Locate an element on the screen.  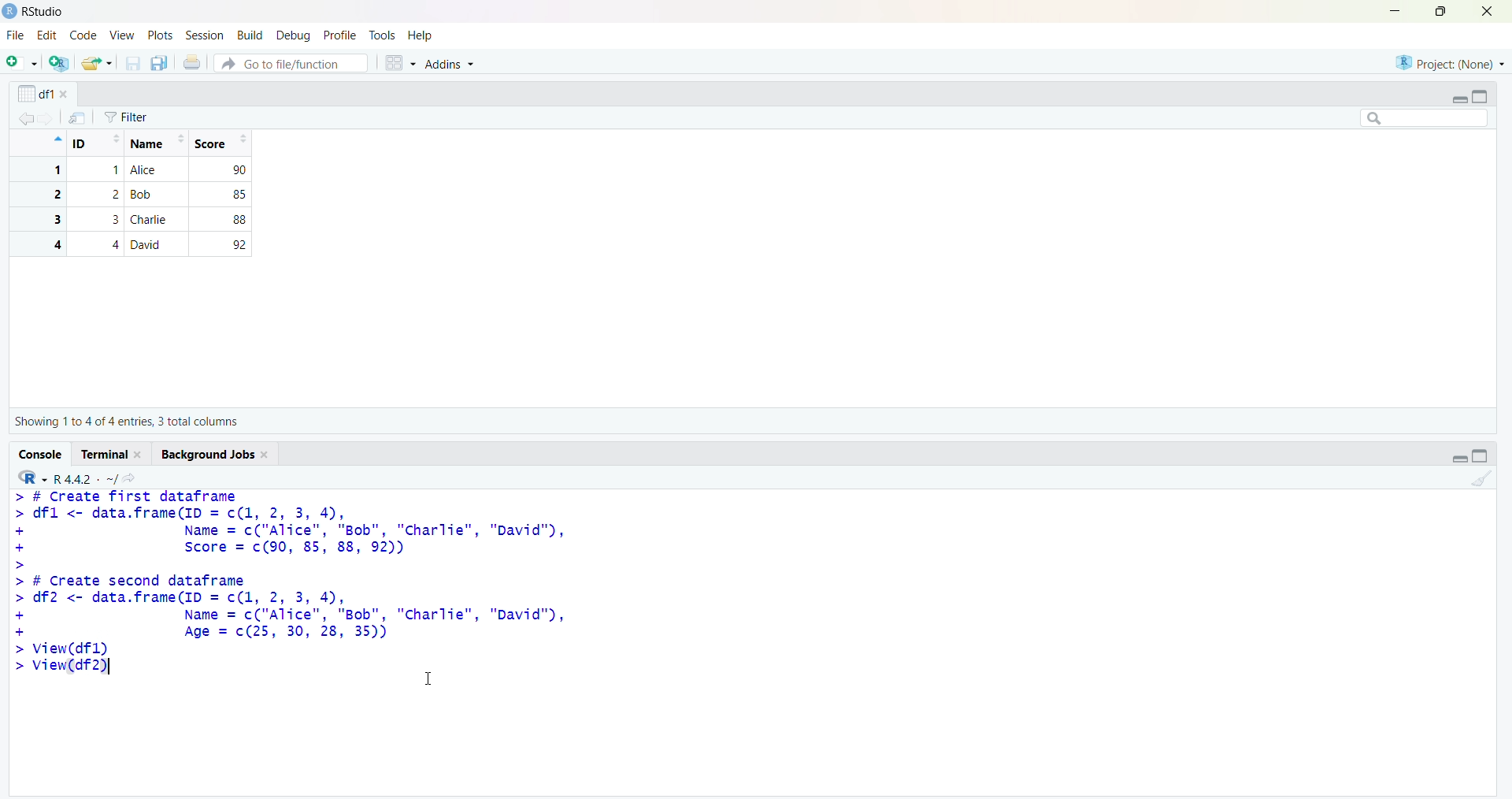
send is located at coordinates (78, 117).